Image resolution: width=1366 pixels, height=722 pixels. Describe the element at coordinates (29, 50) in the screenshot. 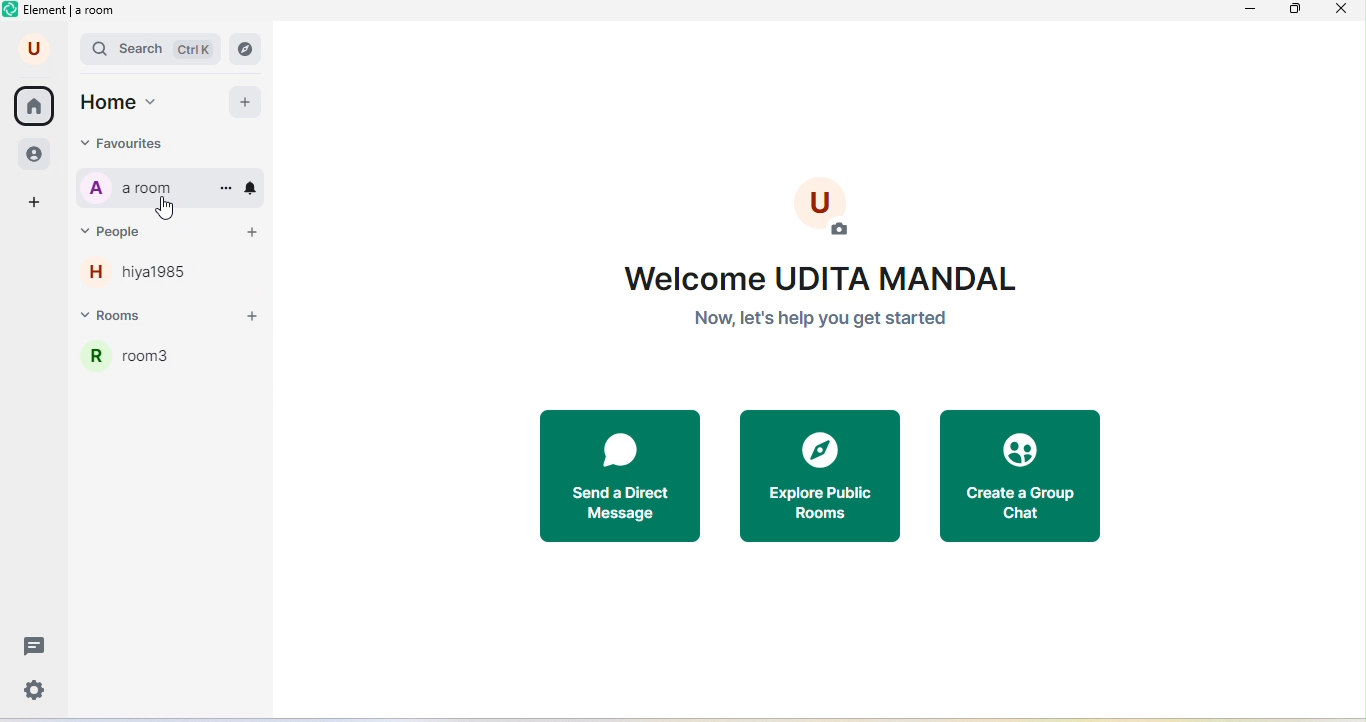

I see `u` at that location.